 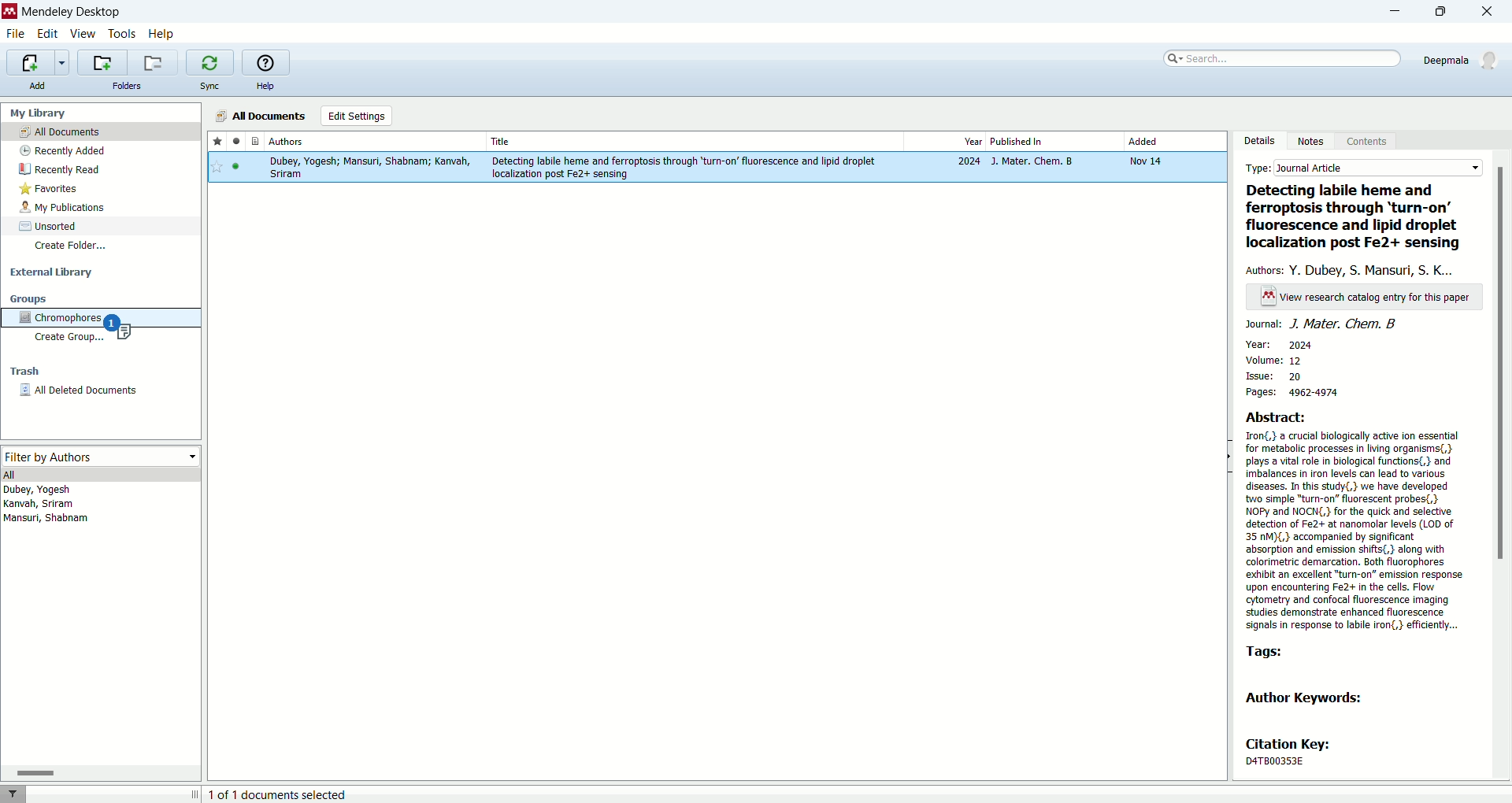 I want to click on chromophores, so click(x=63, y=317).